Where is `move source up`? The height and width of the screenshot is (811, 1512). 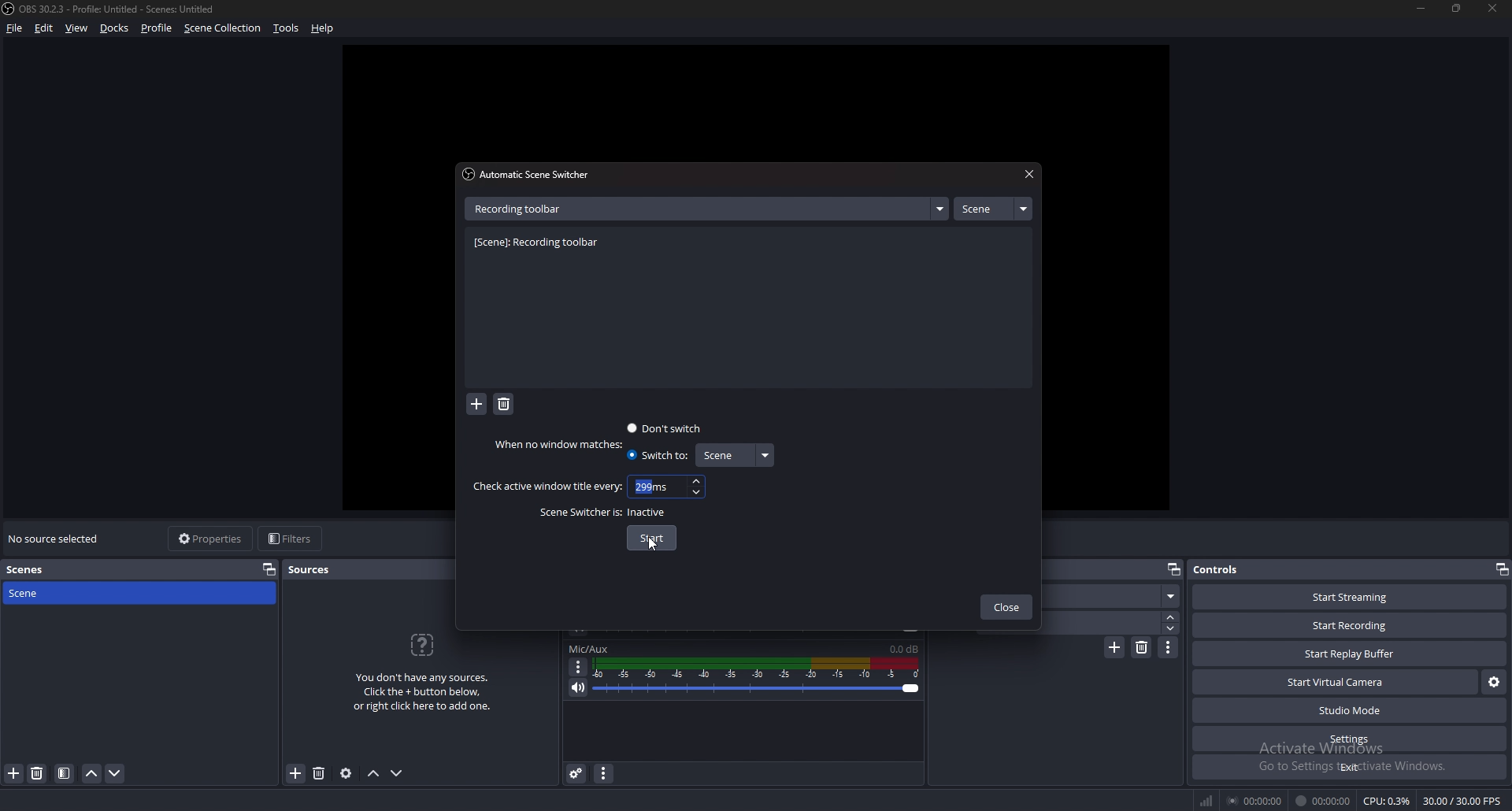 move source up is located at coordinates (373, 774).